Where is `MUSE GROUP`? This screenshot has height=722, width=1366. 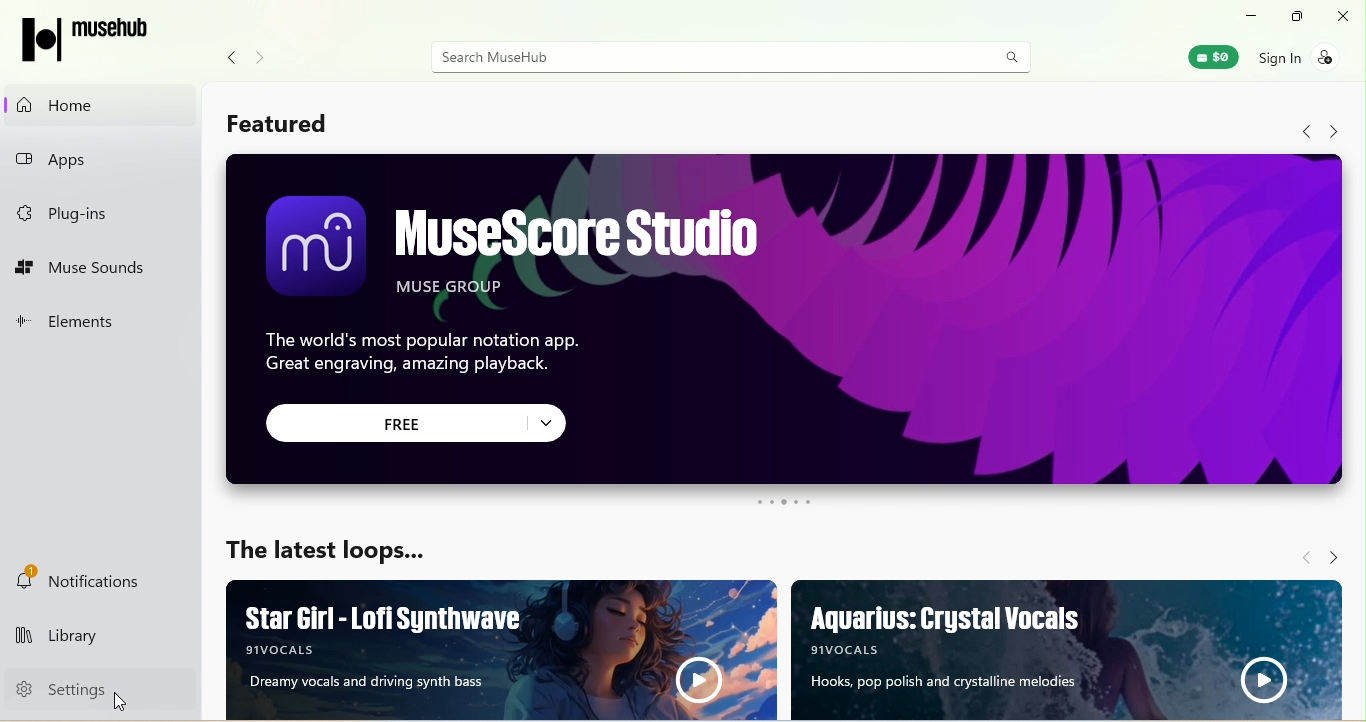
MUSE GROUP is located at coordinates (448, 287).